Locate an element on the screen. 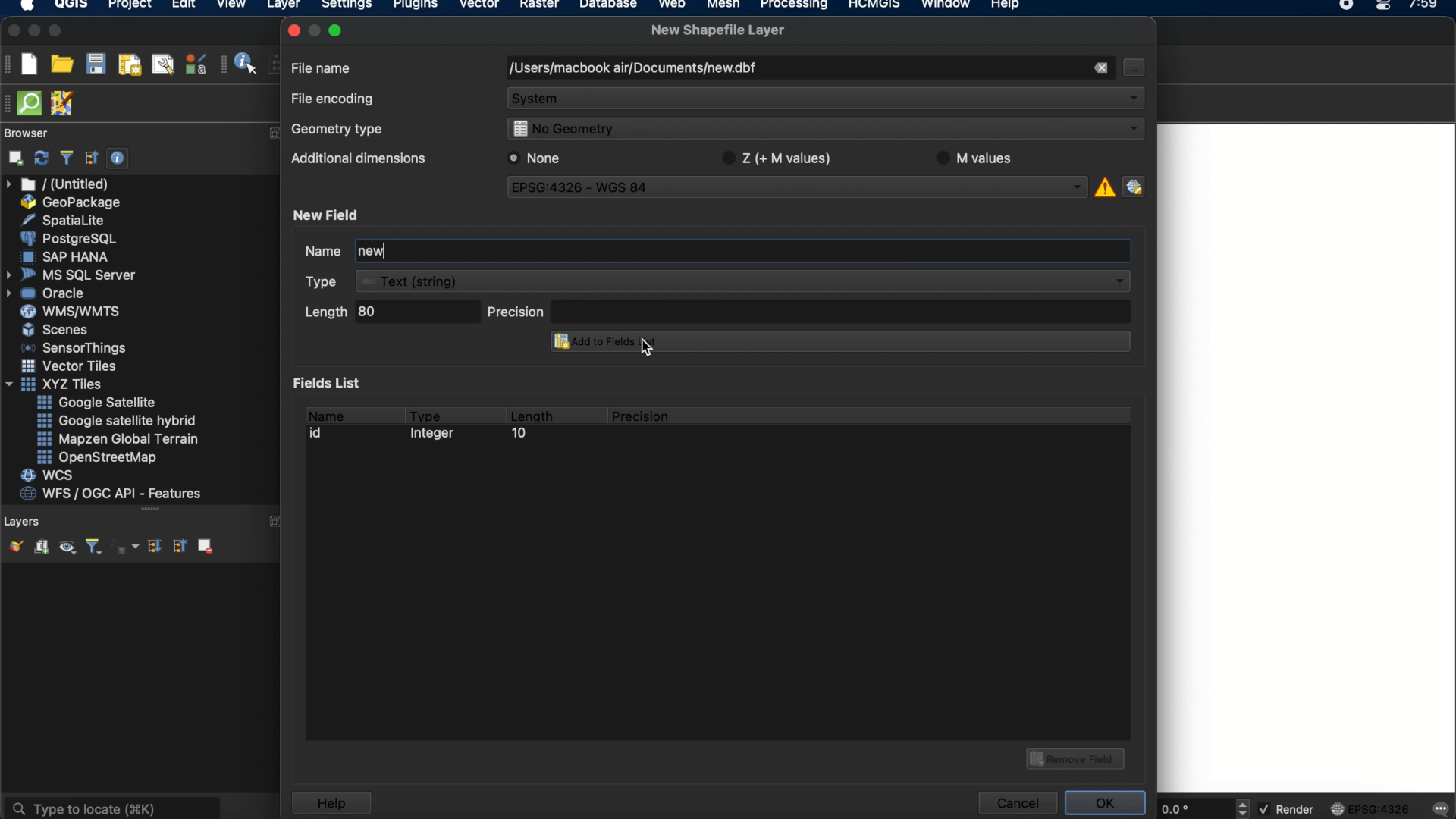 The width and height of the screenshot is (1456, 819). collapse all is located at coordinates (178, 545).